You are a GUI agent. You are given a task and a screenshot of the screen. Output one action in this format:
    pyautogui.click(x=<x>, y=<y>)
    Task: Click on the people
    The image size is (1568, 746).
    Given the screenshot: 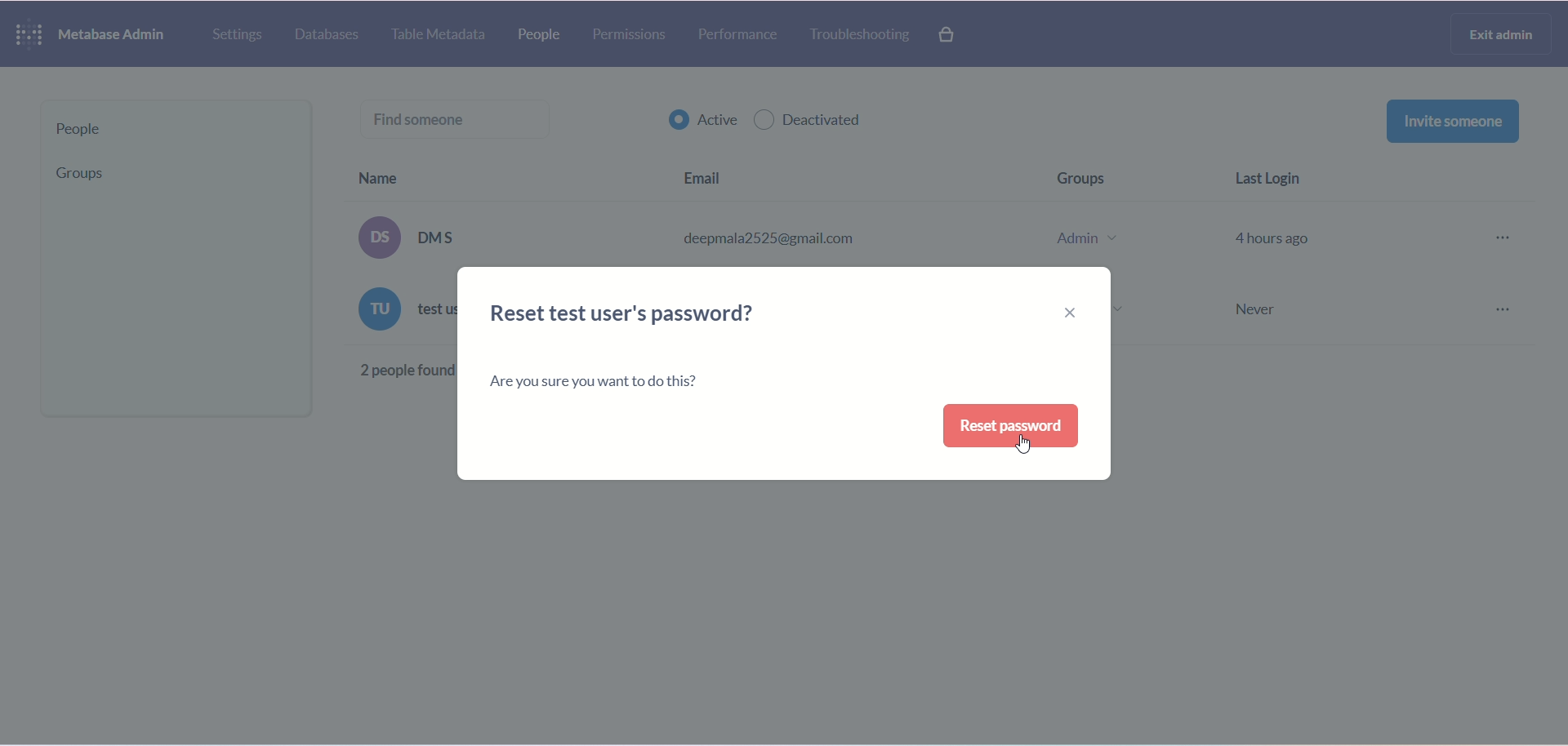 What is the action you would take?
    pyautogui.click(x=546, y=34)
    